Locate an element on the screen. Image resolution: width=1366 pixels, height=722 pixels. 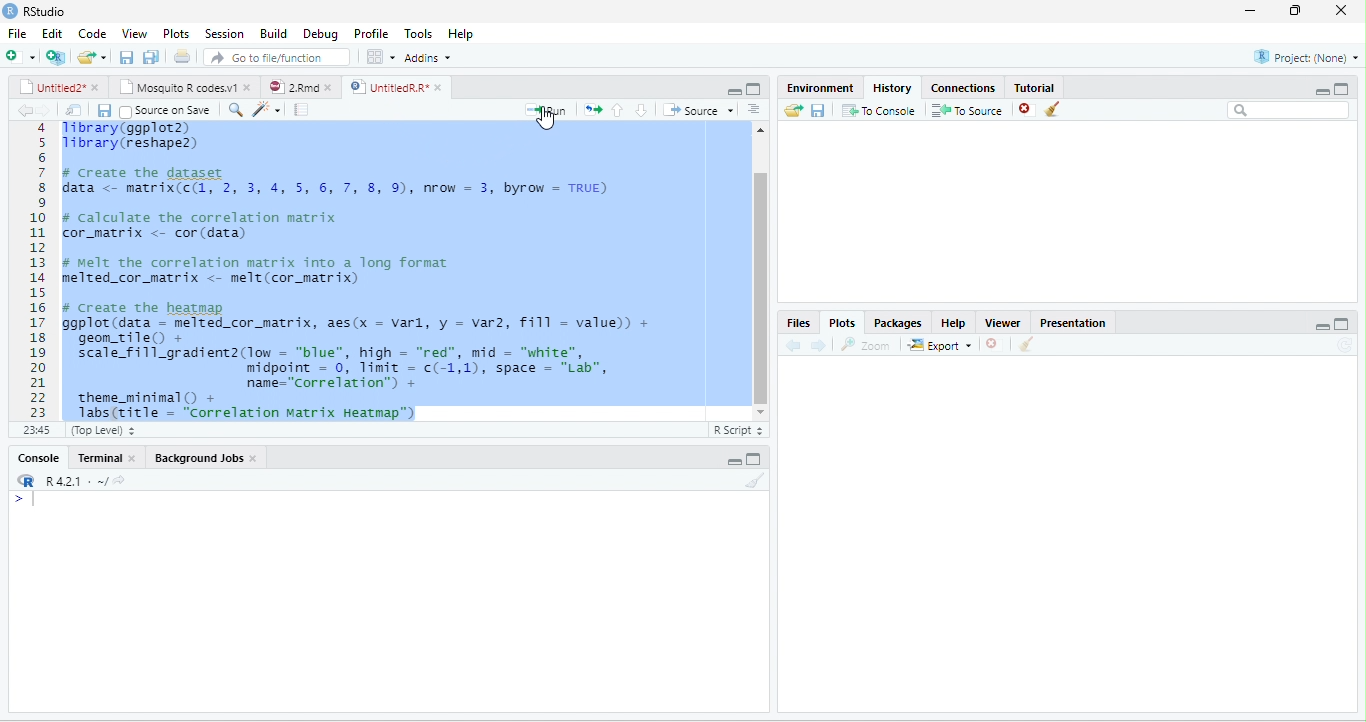
CLEAN is located at coordinates (1028, 346).